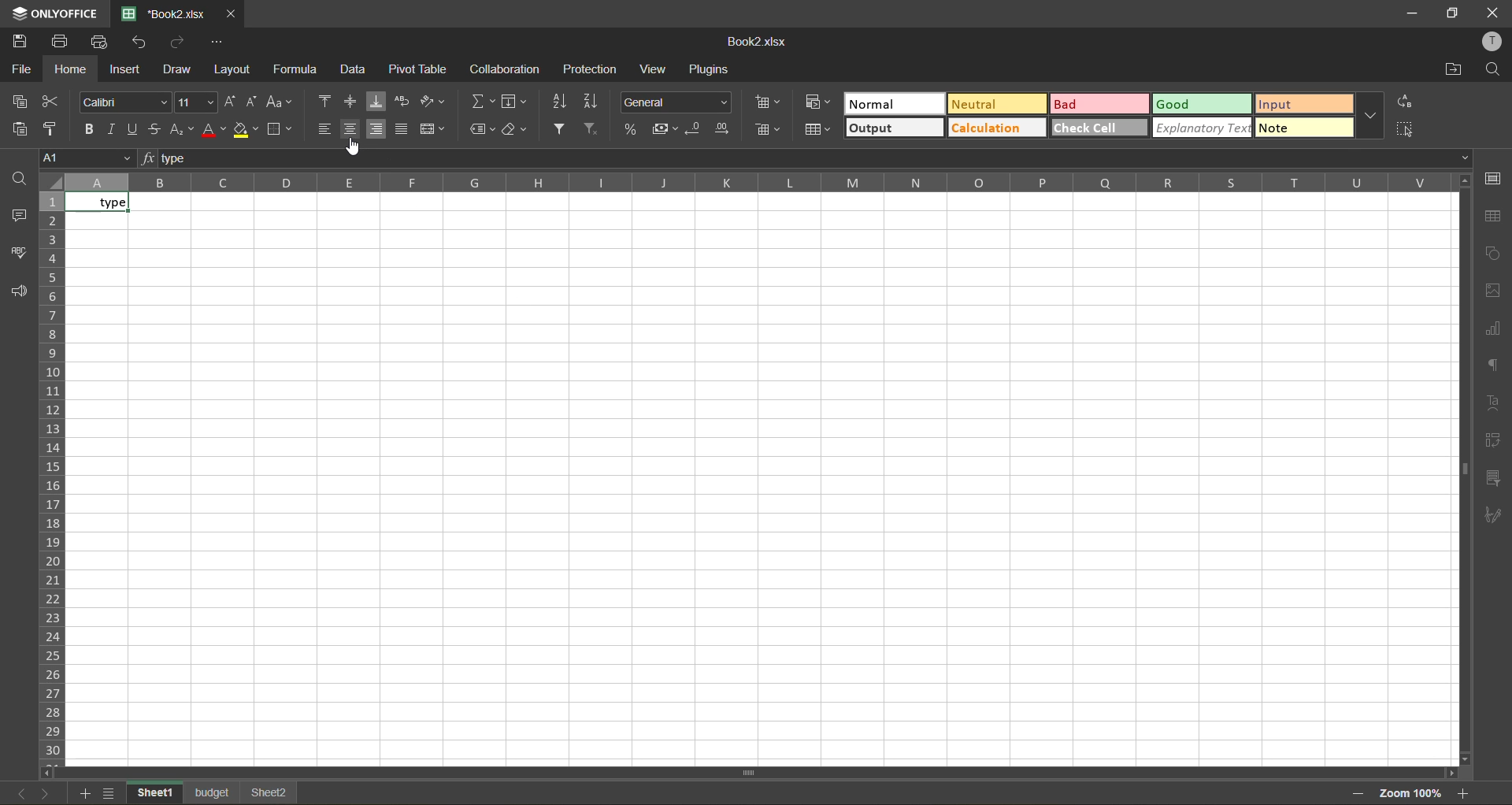 The height and width of the screenshot is (805, 1512). I want to click on italic, so click(113, 130).